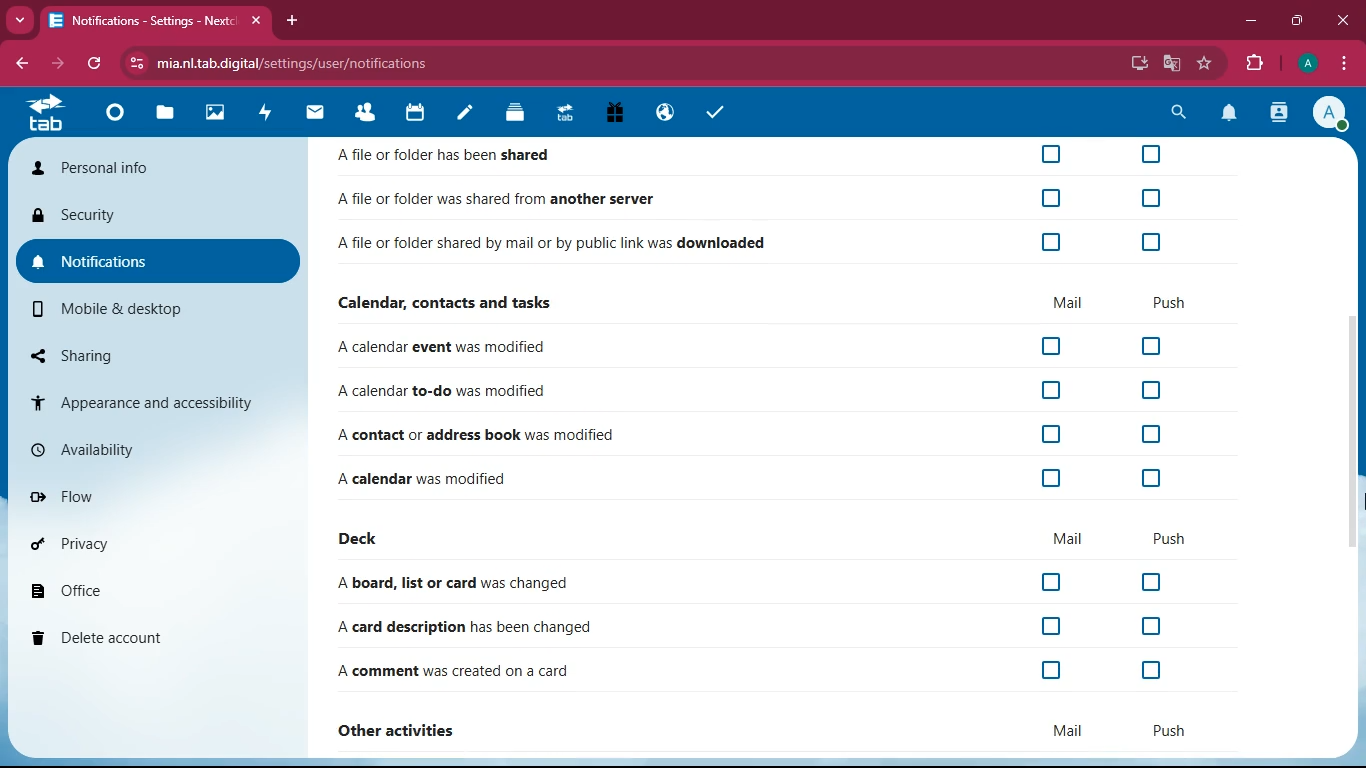  What do you see at coordinates (1070, 302) in the screenshot?
I see `mail` at bounding box center [1070, 302].